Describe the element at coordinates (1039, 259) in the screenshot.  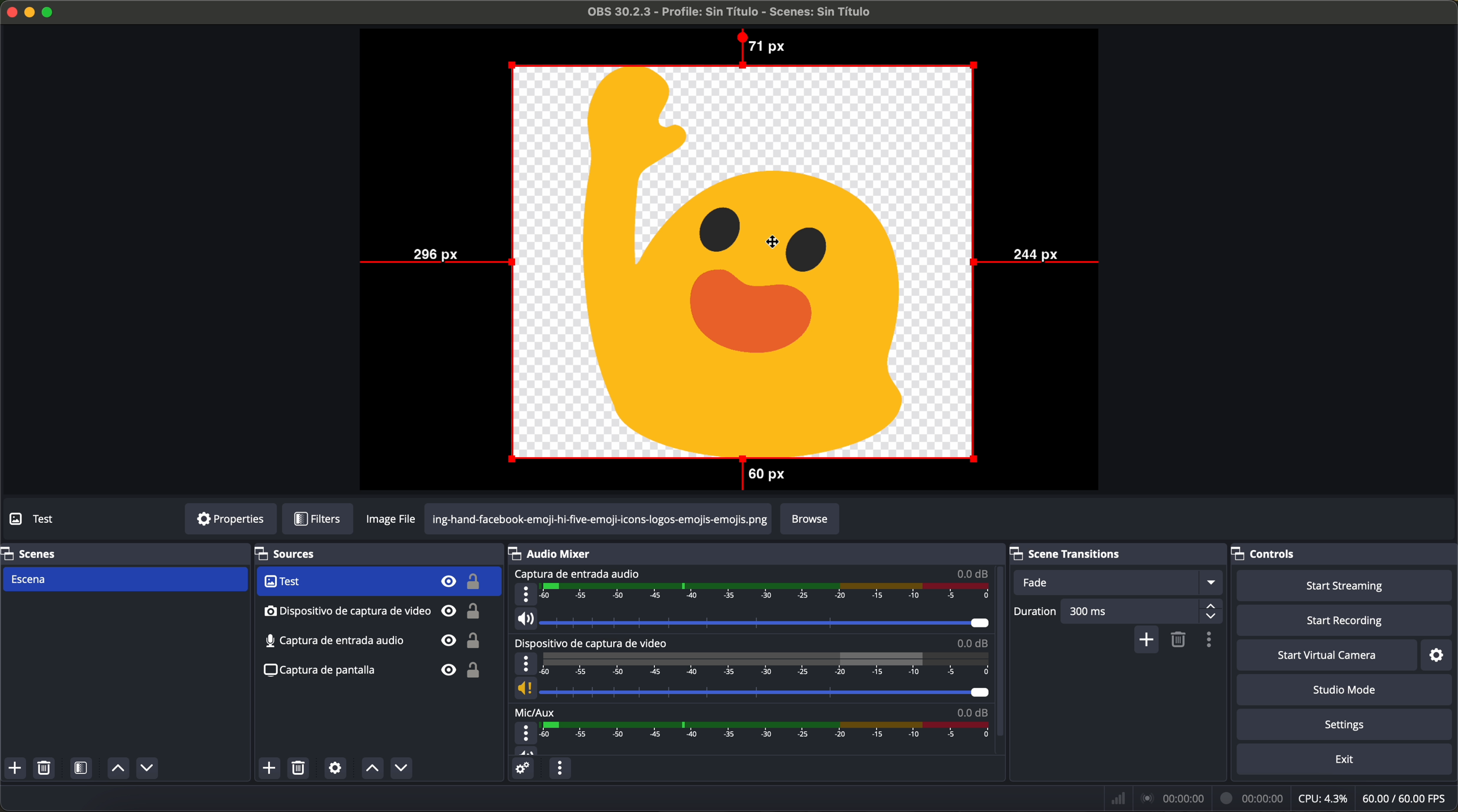
I see `244 px distance` at that location.